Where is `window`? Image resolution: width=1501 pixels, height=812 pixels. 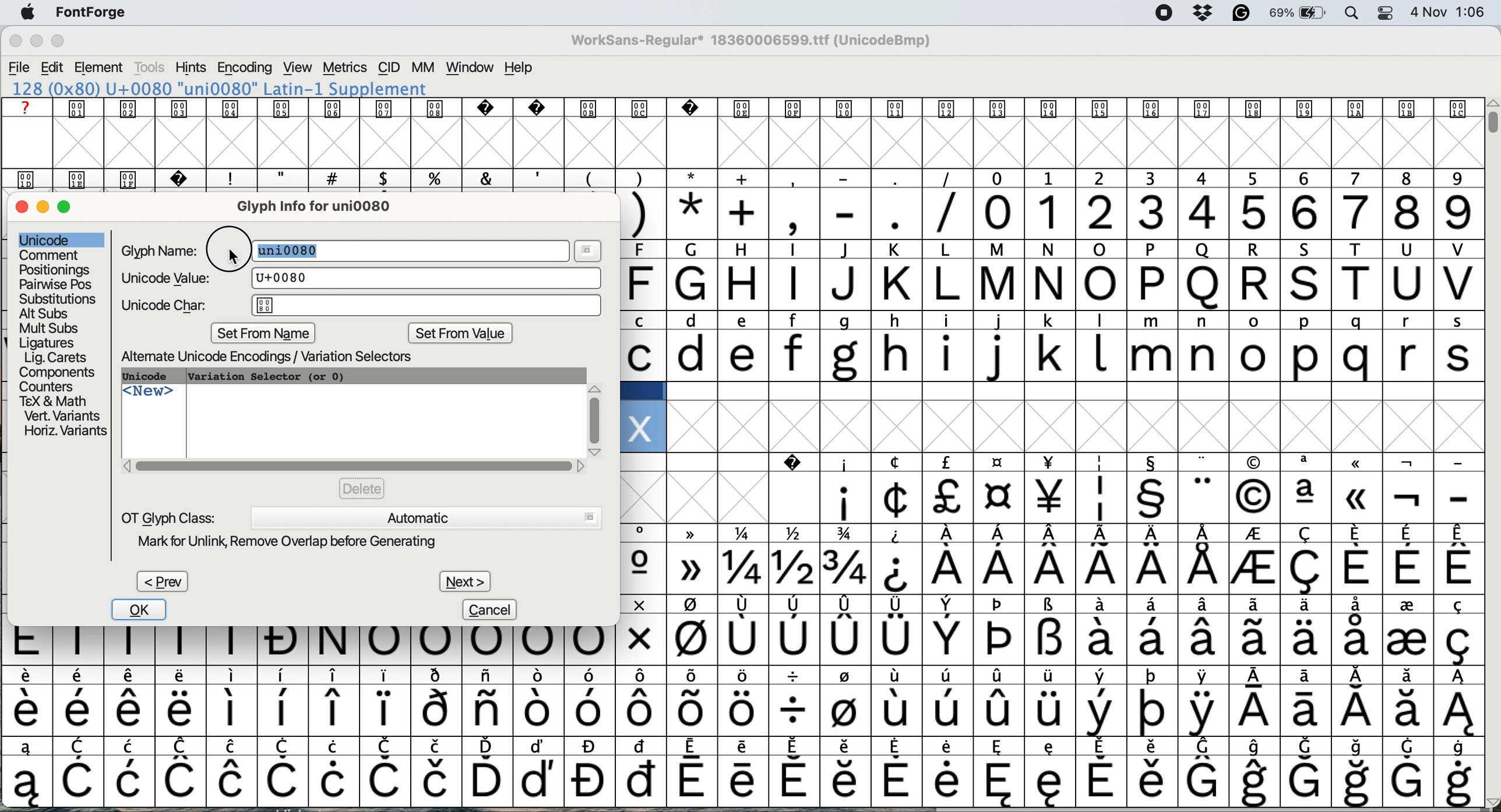
window is located at coordinates (469, 68).